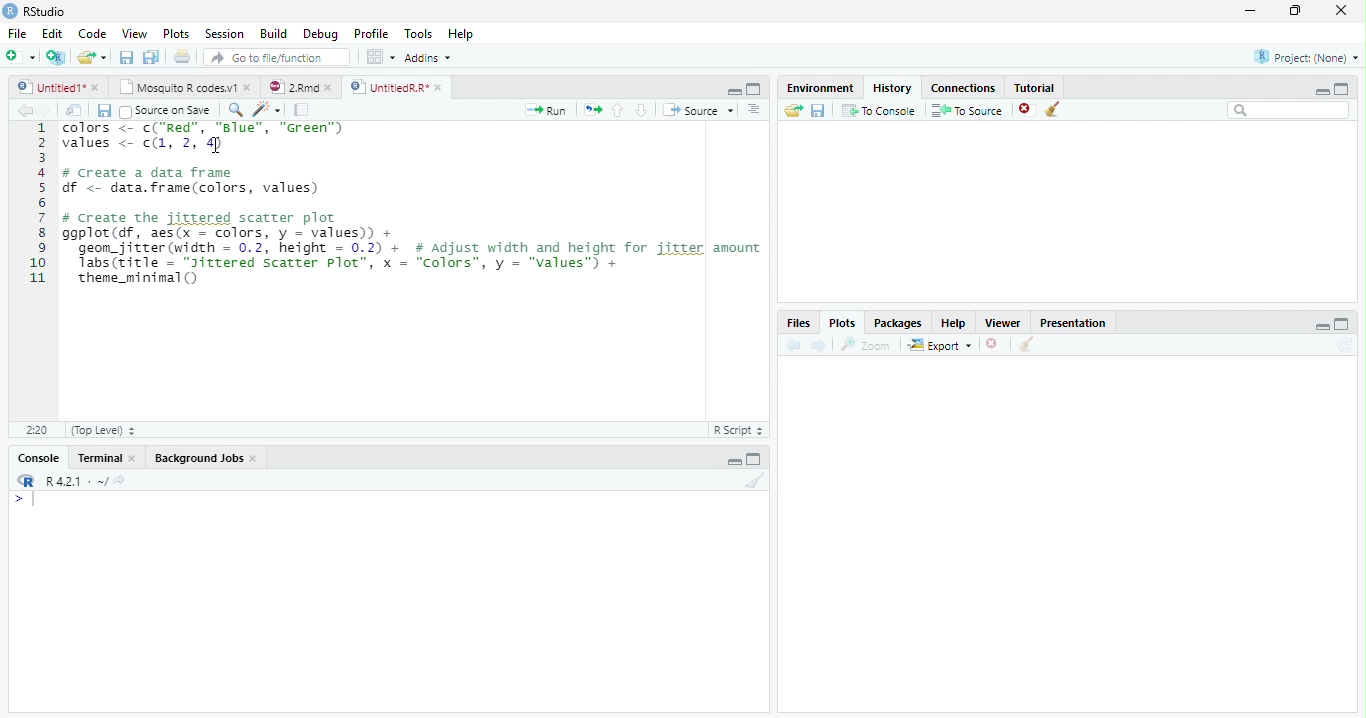  I want to click on colars <- c( Wad’, Wiles", "Wwem’)

values < c(1, 2, 4)

# Create a data frame

df <- data. frame(colors, values)

# Create the jitrered scatter plot

ggplot(df, aes(x = colors, y = values) +
geom_jitter (width = 0.2, height = 0.2) + # Adjust width and height for jitter amount
Tabs(ritle = "Jittered scatter plot”, x = “colors”, y = values") +
theme_minimal(), so click(413, 206).